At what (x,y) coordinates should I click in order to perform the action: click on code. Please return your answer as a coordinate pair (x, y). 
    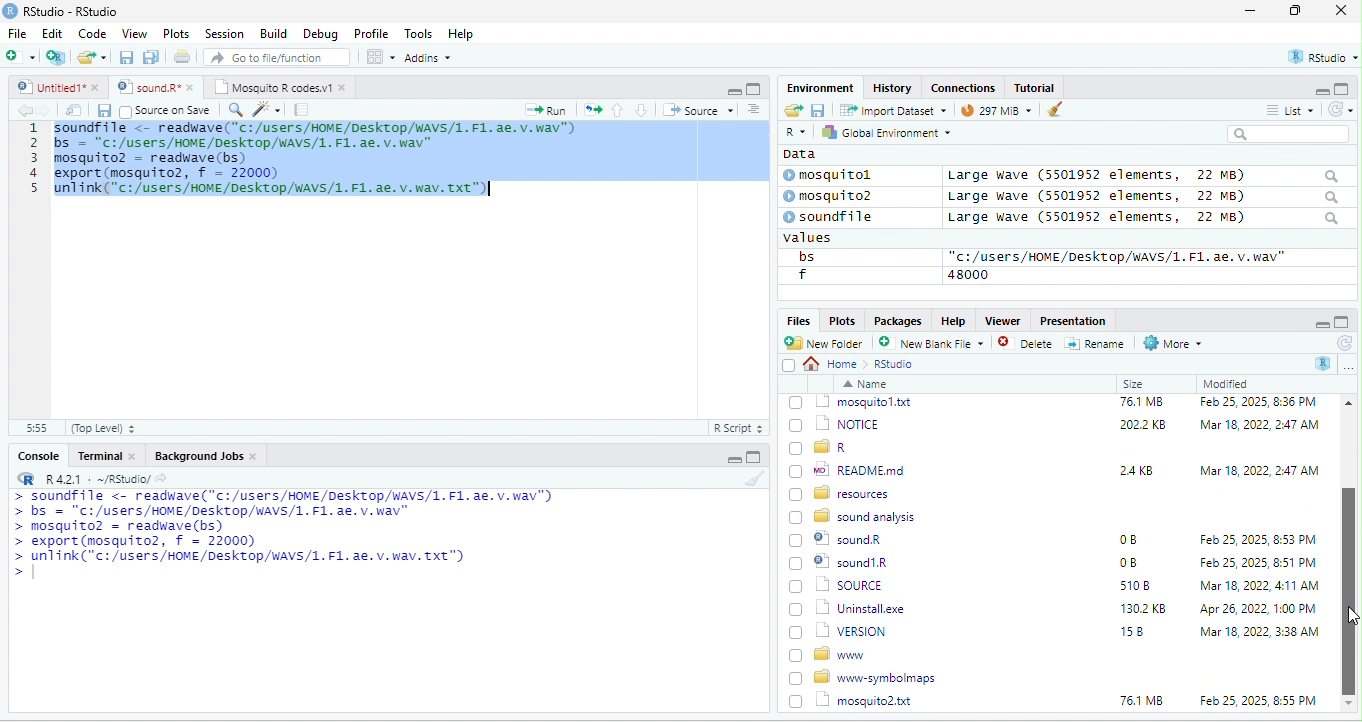
    Looking at the image, I should click on (320, 161).